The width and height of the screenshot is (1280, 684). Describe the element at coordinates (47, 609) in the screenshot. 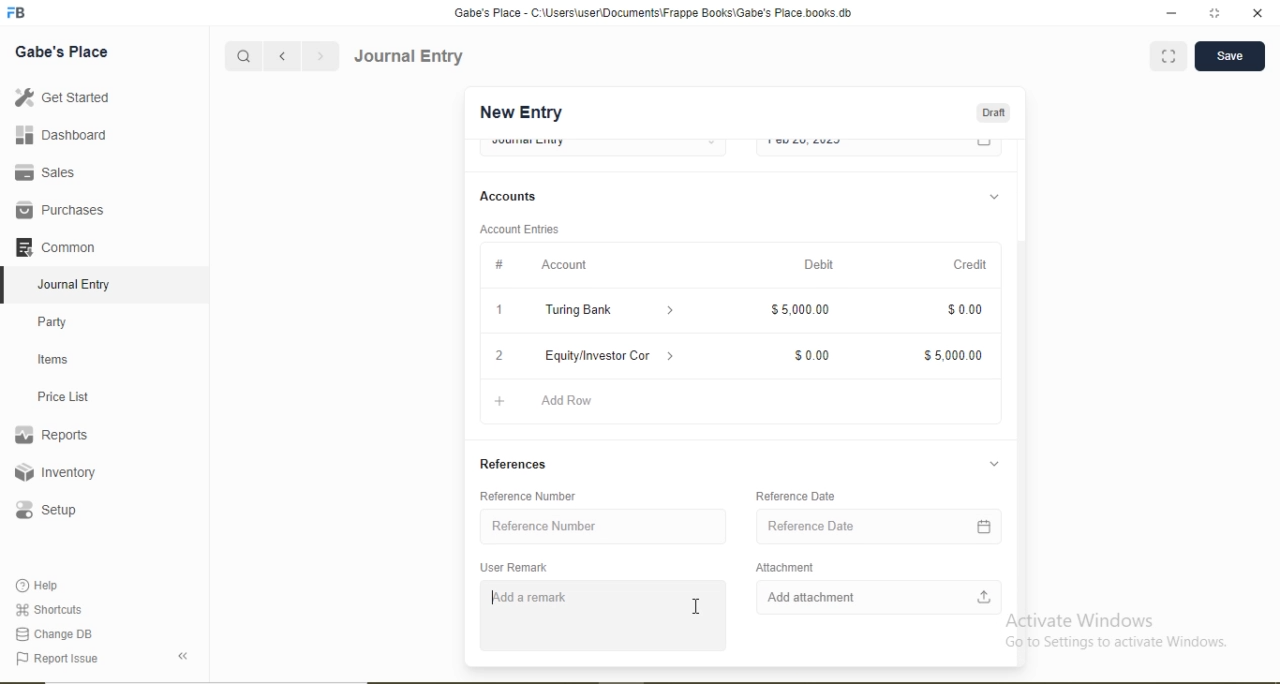

I see `Shortcuts` at that location.